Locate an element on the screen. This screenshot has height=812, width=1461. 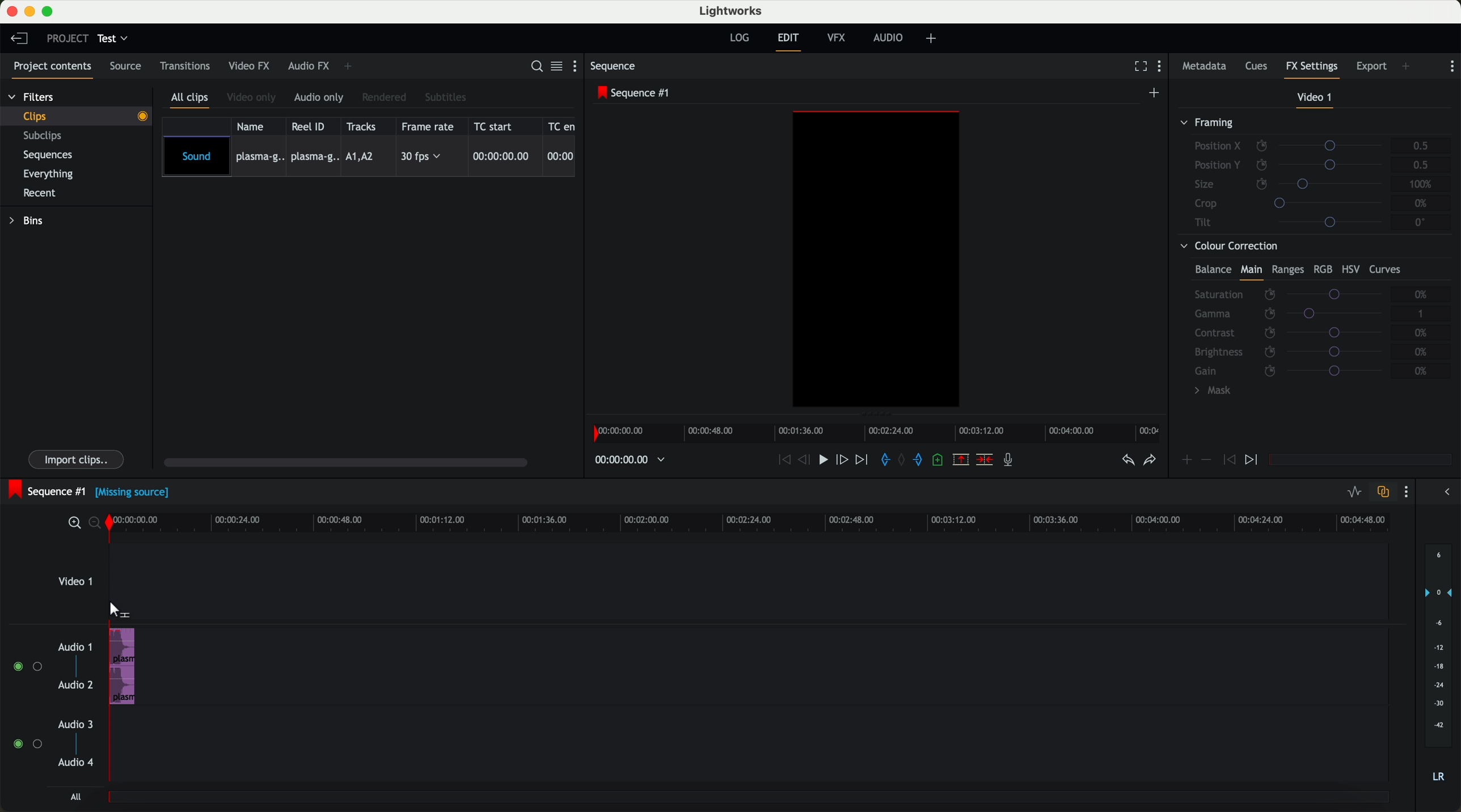
nudge one frame back is located at coordinates (807, 460).